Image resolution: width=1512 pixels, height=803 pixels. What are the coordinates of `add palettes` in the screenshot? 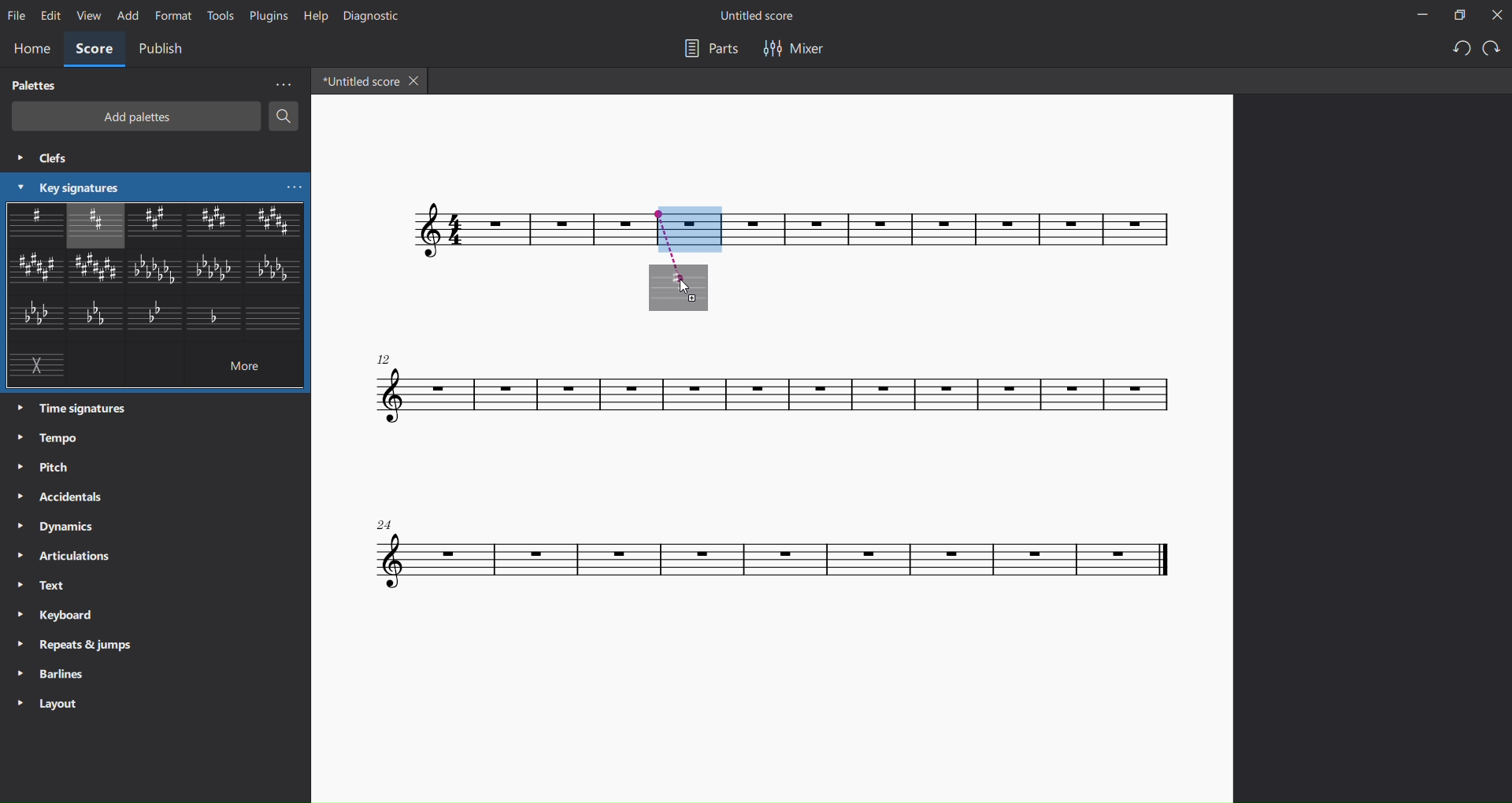 It's located at (135, 117).